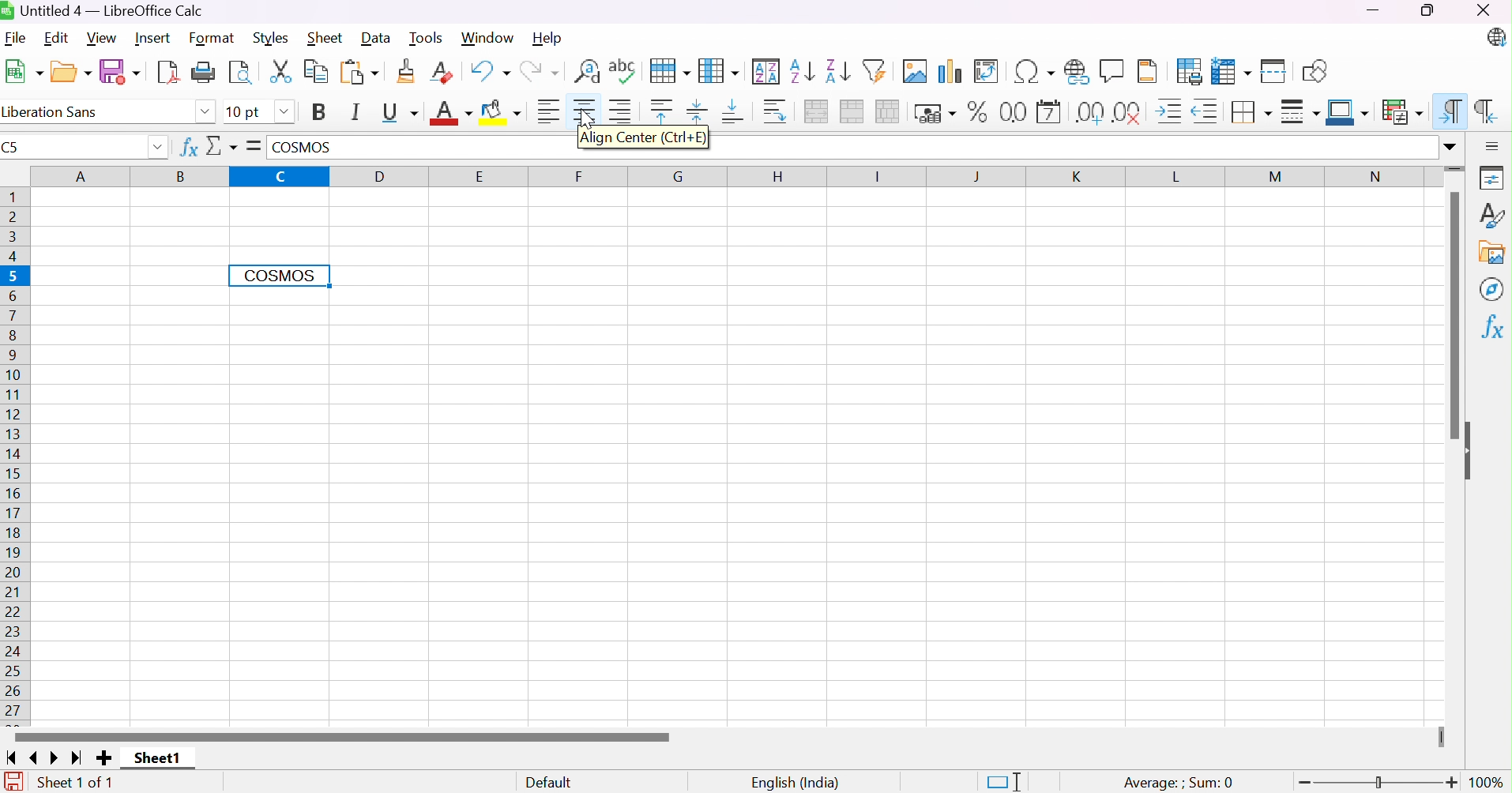  I want to click on Insert Image, so click(914, 71).